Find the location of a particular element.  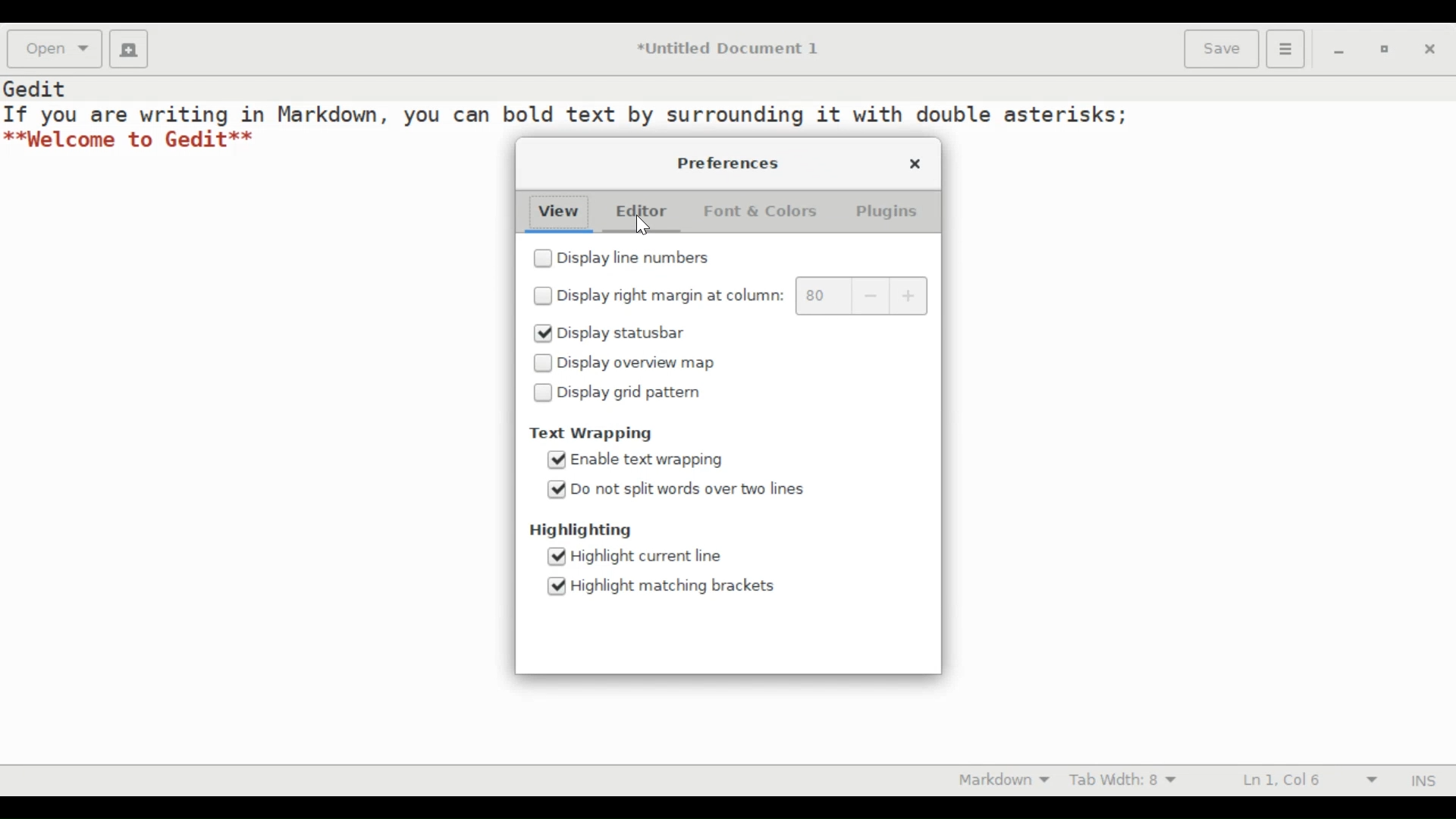

close is located at coordinates (916, 163).